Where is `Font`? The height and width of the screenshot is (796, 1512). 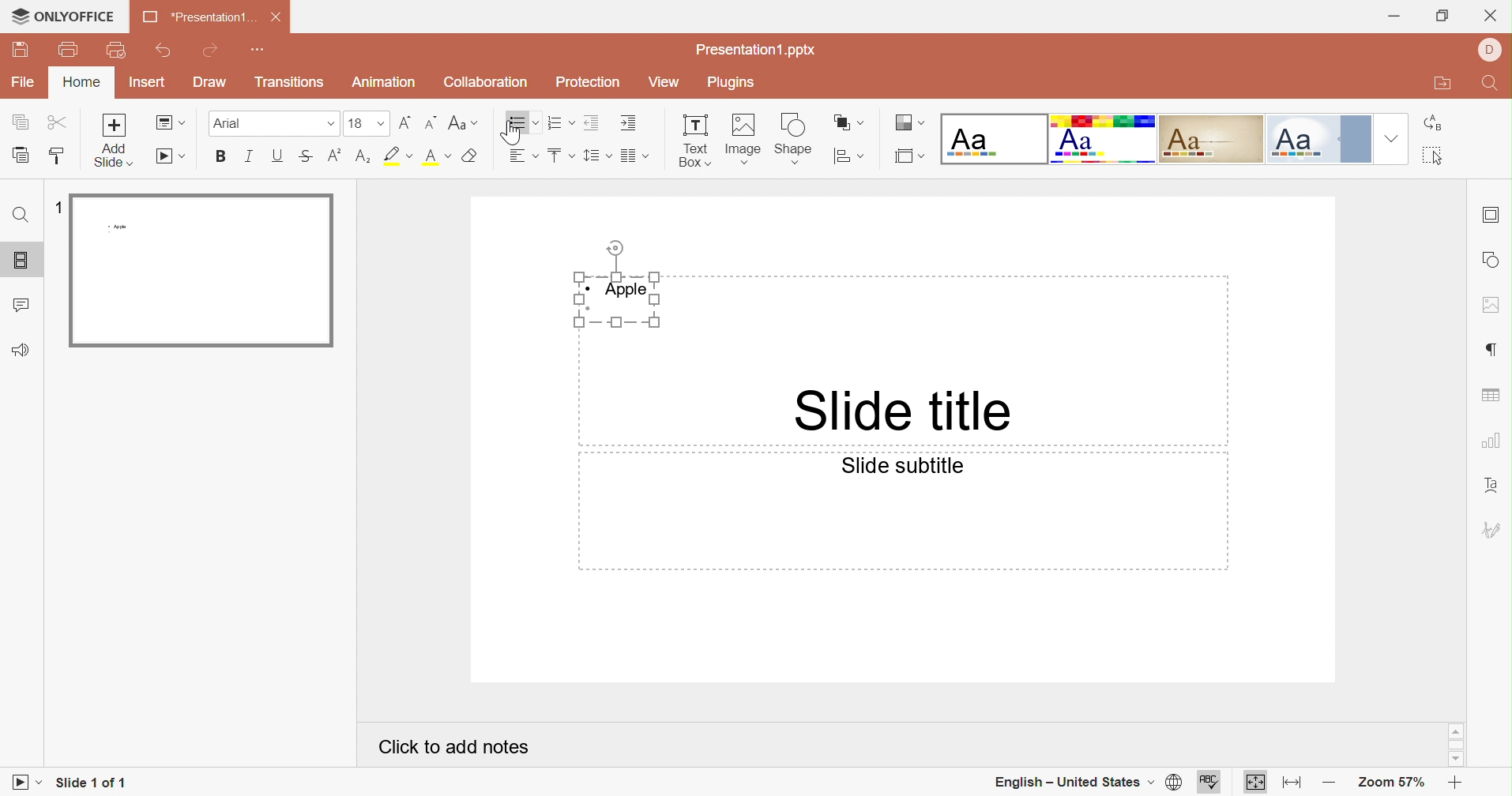 Font is located at coordinates (231, 124).